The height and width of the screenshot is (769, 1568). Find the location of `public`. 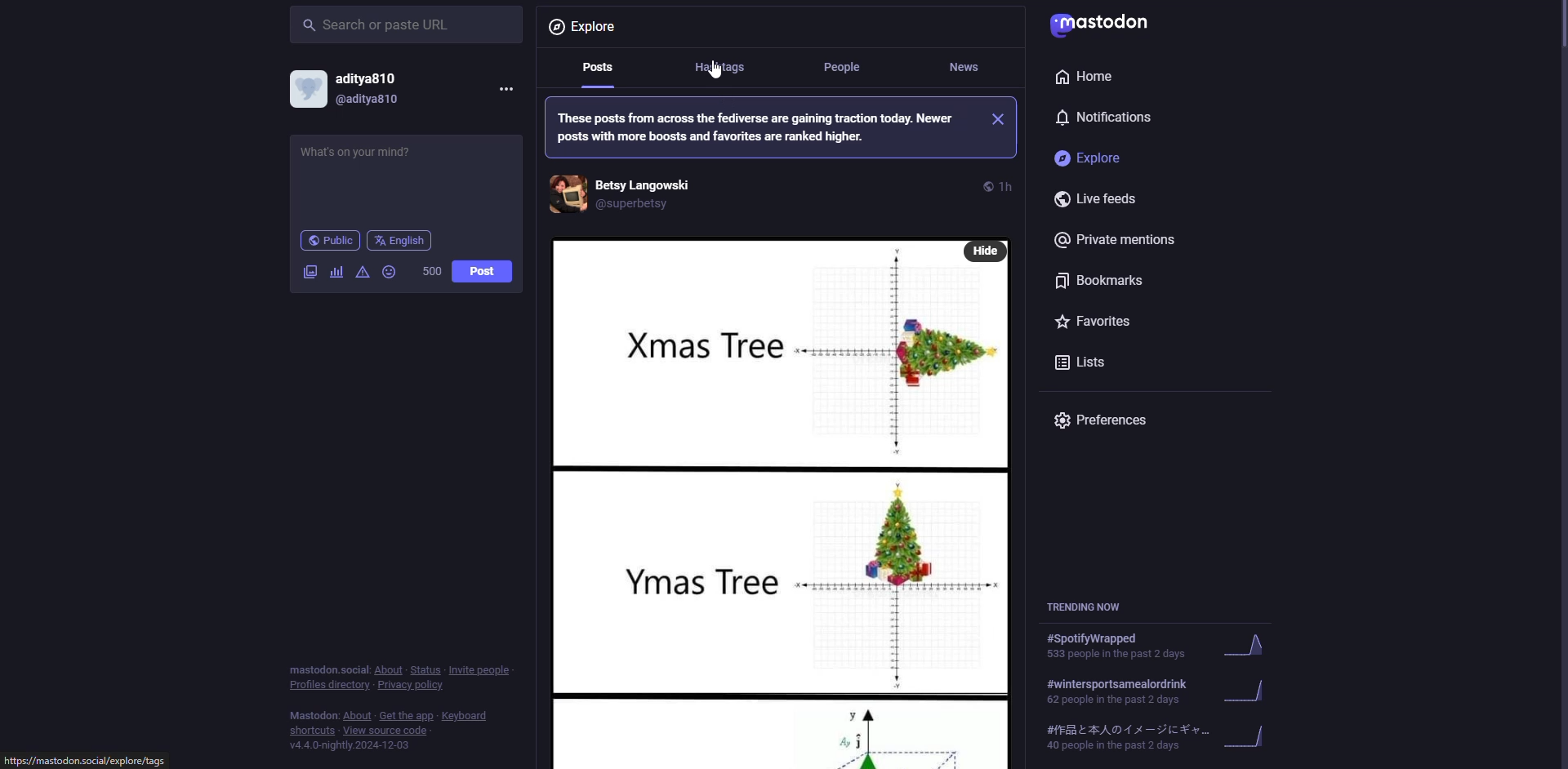

public is located at coordinates (329, 240).